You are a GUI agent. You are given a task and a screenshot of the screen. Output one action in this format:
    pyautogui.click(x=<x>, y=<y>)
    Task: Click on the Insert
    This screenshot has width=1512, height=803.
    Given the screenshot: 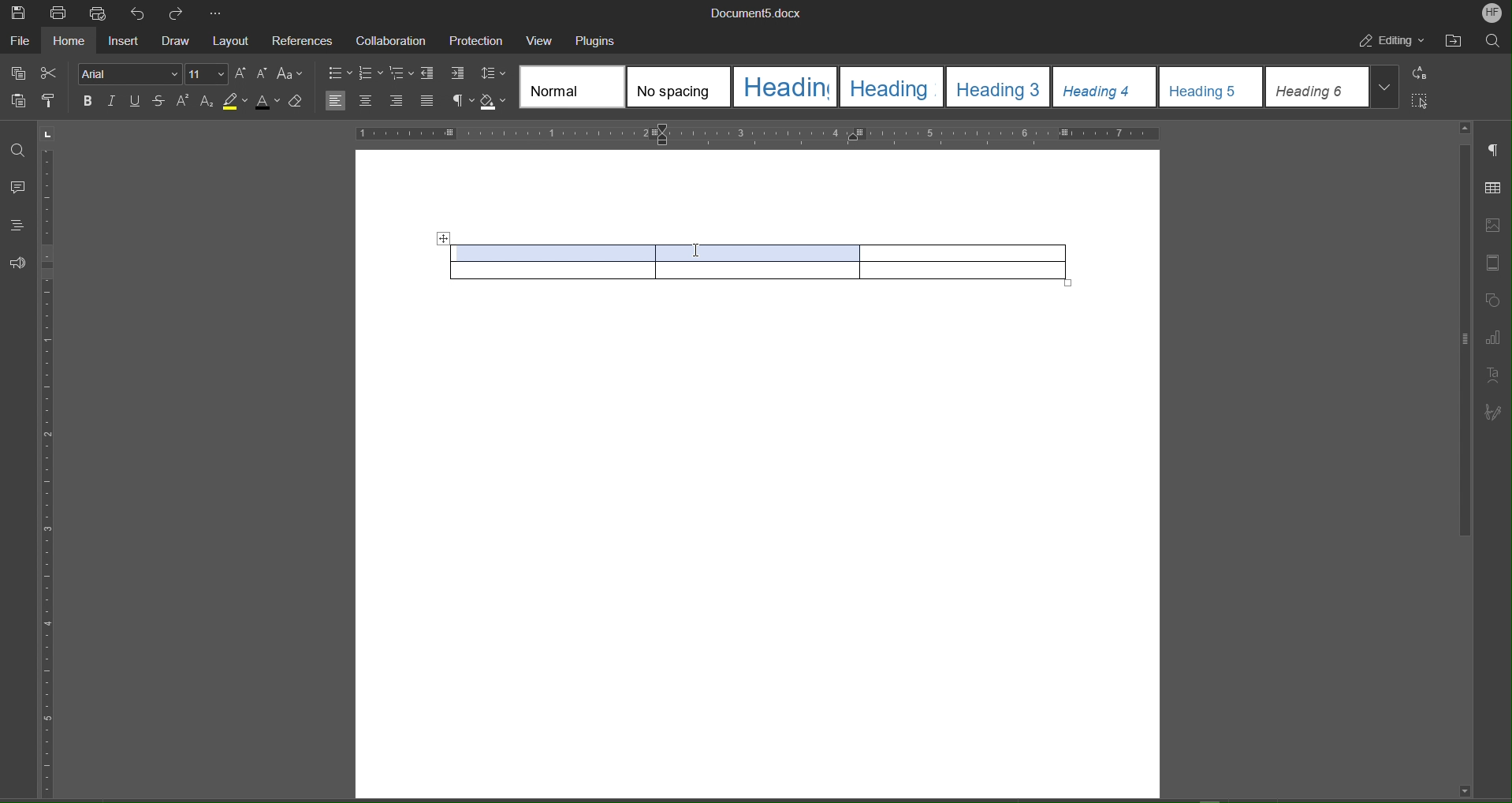 What is the action you would take?
    pyautogui.click(x=127, y=43)
    